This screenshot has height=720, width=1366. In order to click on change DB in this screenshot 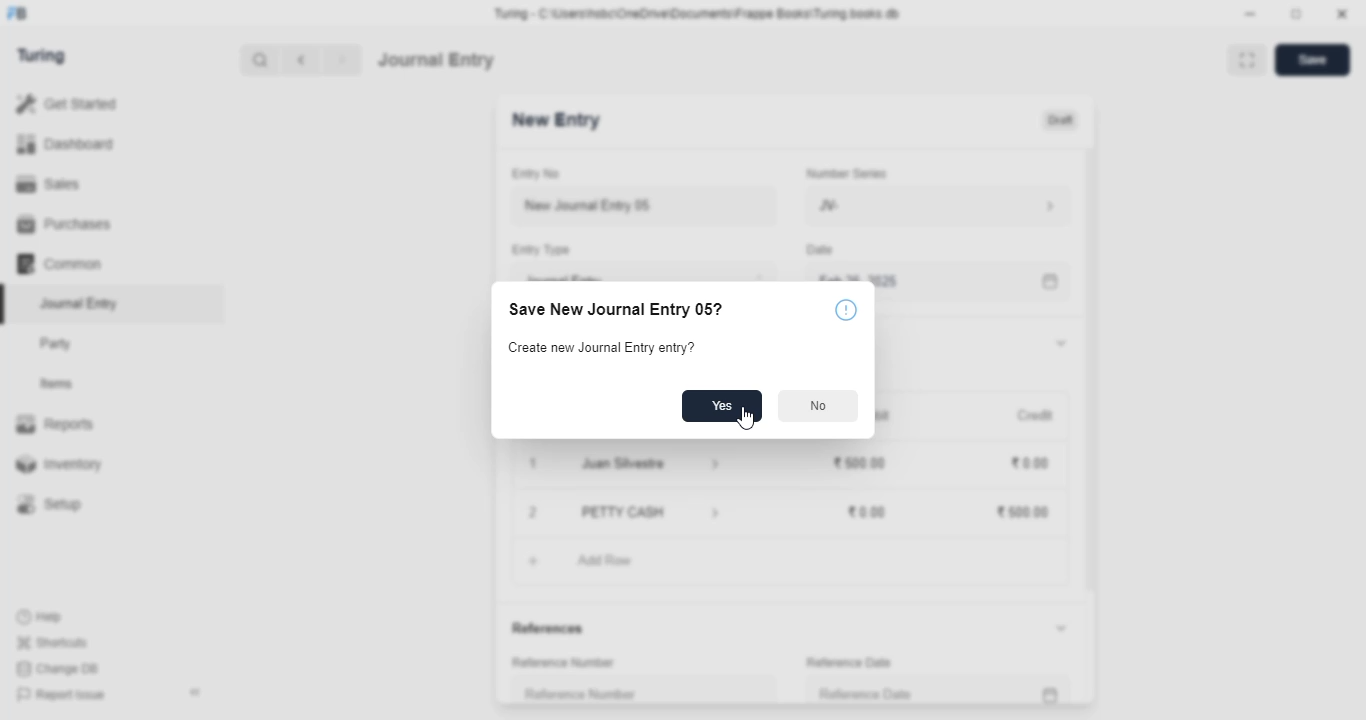, I will do `click(58, 669)`.